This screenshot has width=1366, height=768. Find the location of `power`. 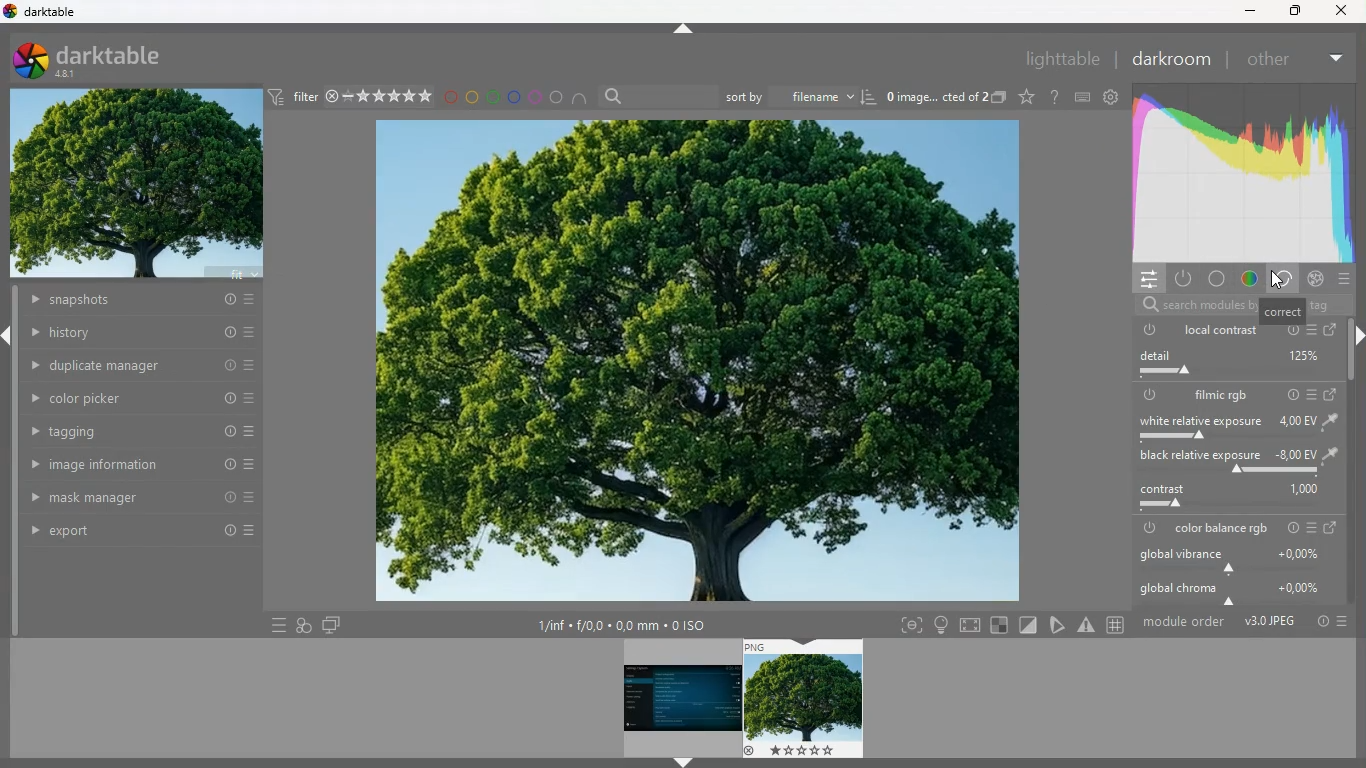

power is located at coordinates (1147, 527).